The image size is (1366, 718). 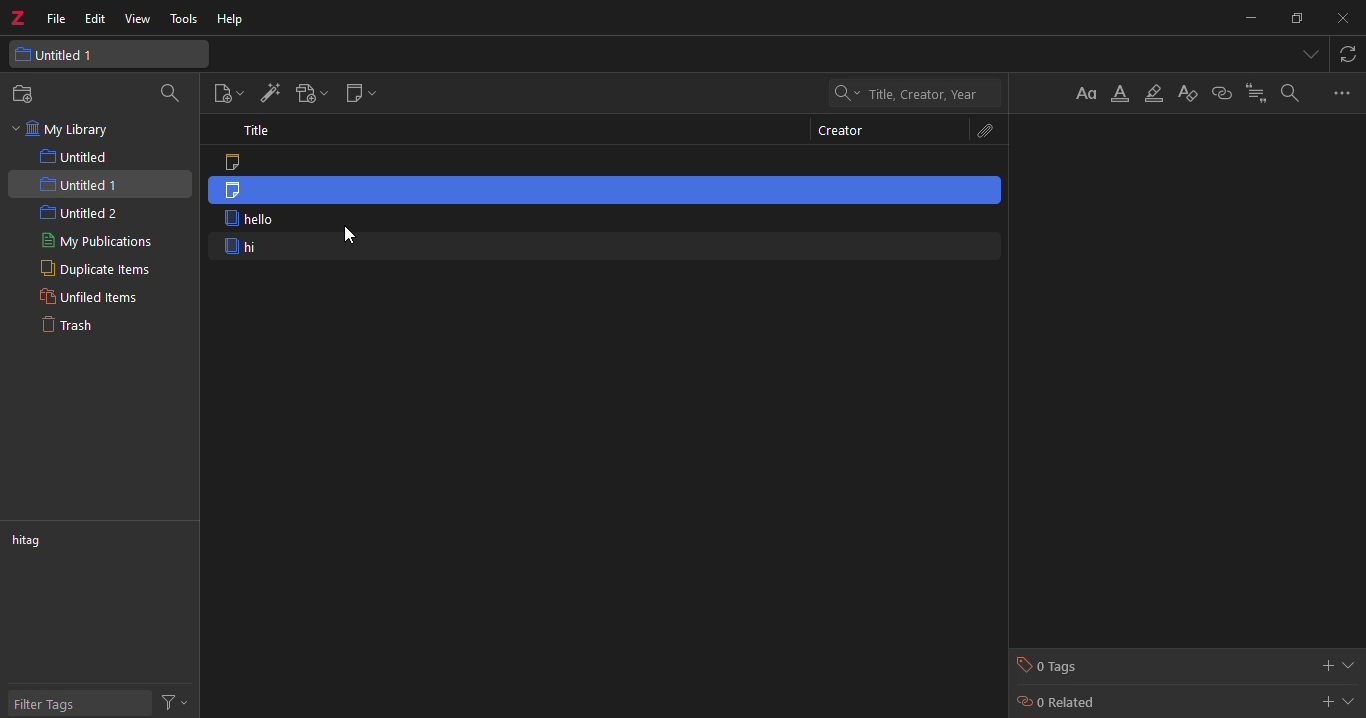 What do you see at coordinates (22, 96) in the screenshot?
I see `new collection` at bounding box center [22, 96].